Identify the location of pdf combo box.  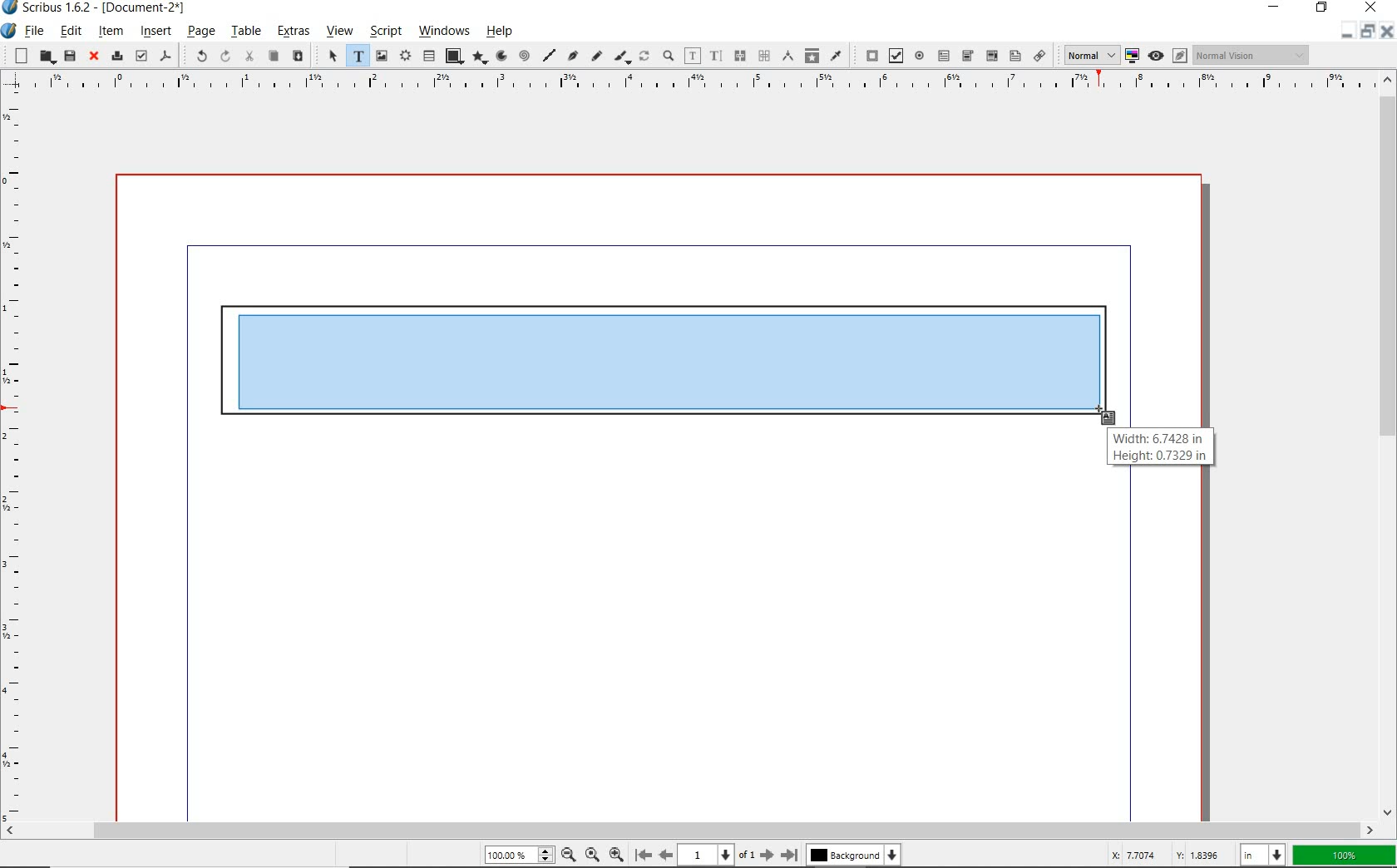
(967, 57).